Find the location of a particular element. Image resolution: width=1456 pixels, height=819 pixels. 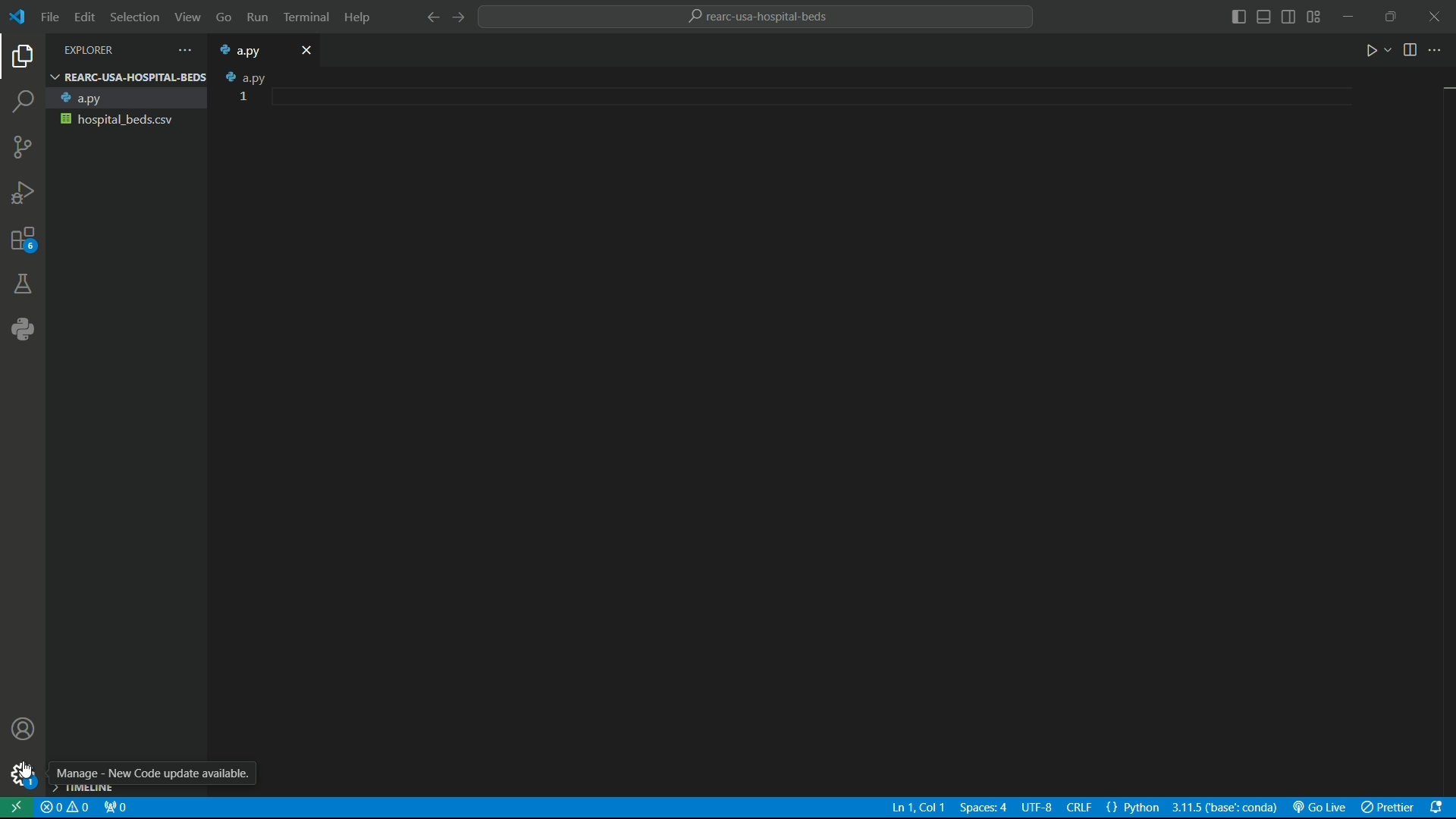

EXPLORER is located at coordinates (102, 50).